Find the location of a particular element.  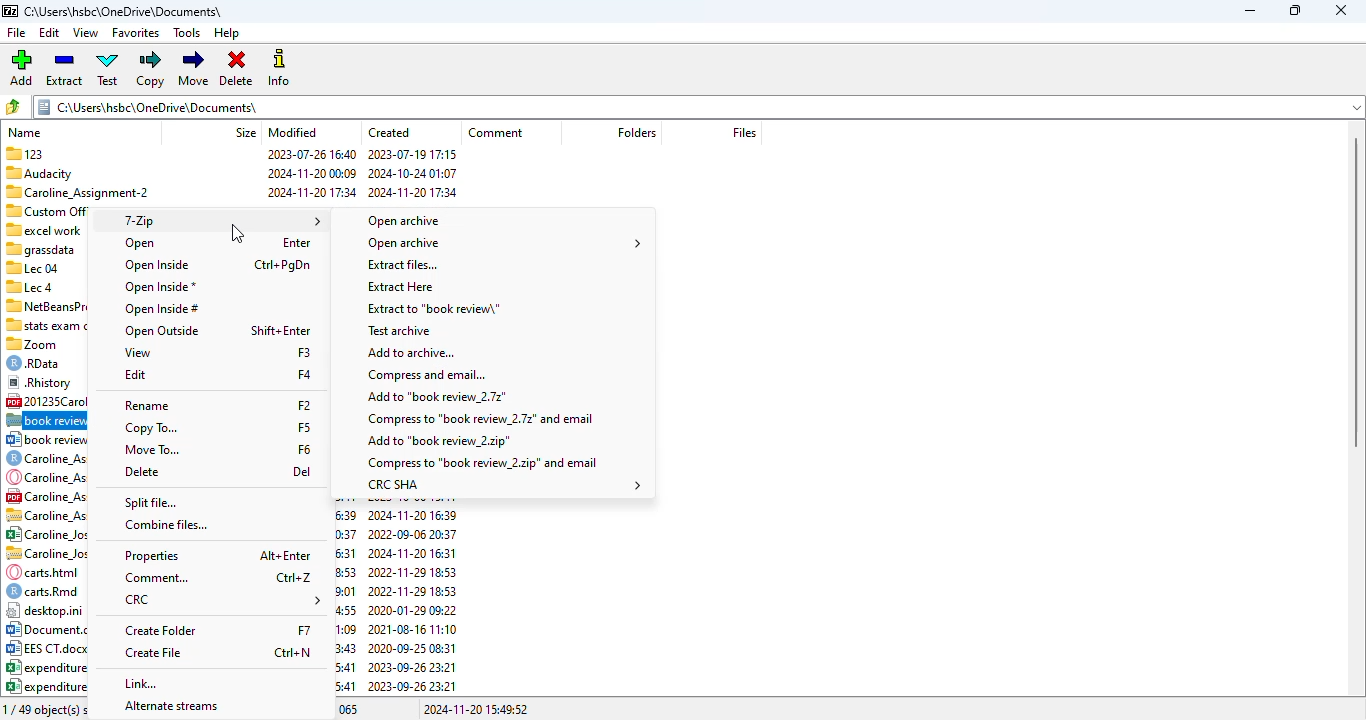

cursor is located at coordinates (236, 233).